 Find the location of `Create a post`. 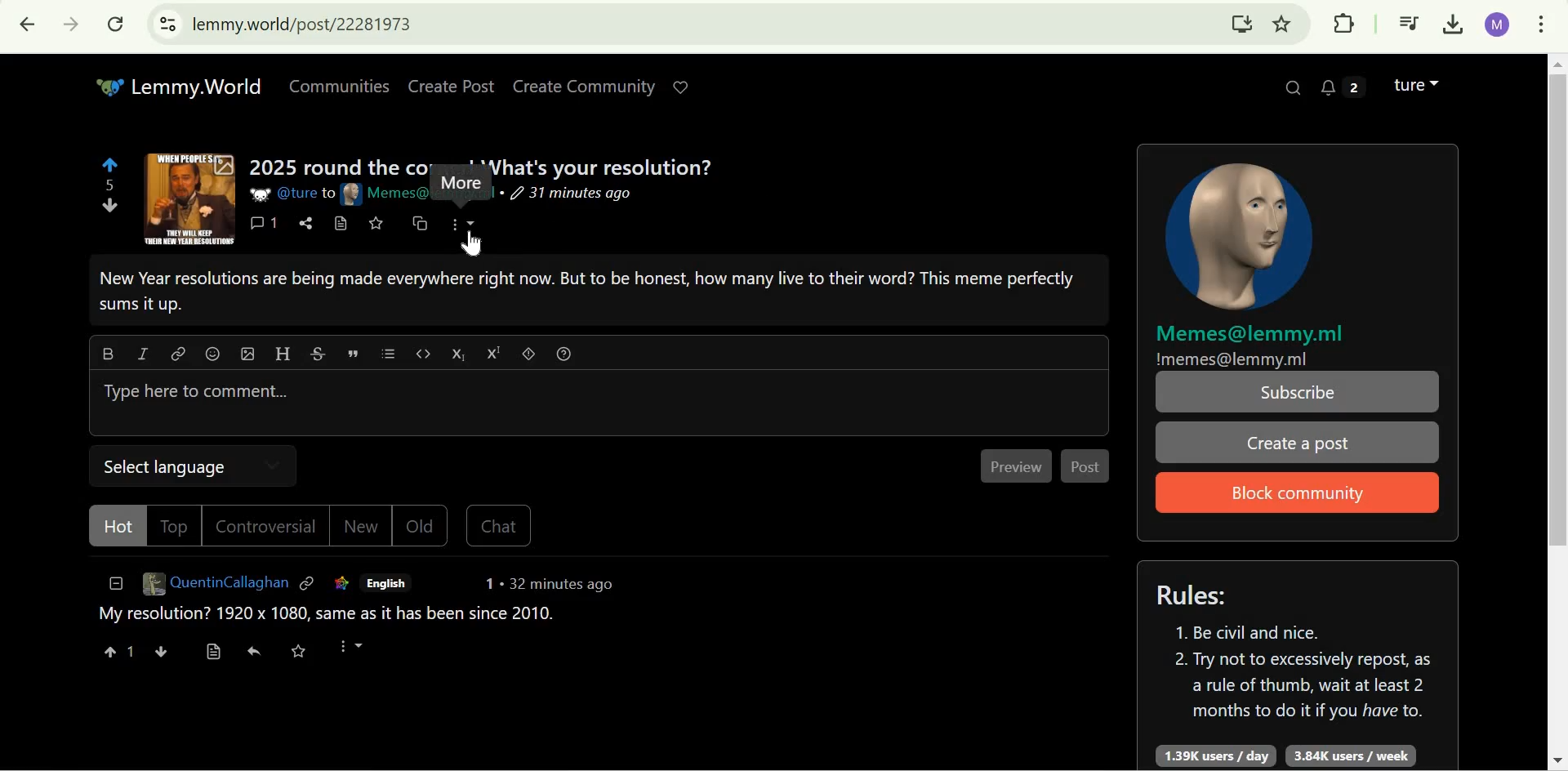

Create a post is located at coordinates (1295, 443).